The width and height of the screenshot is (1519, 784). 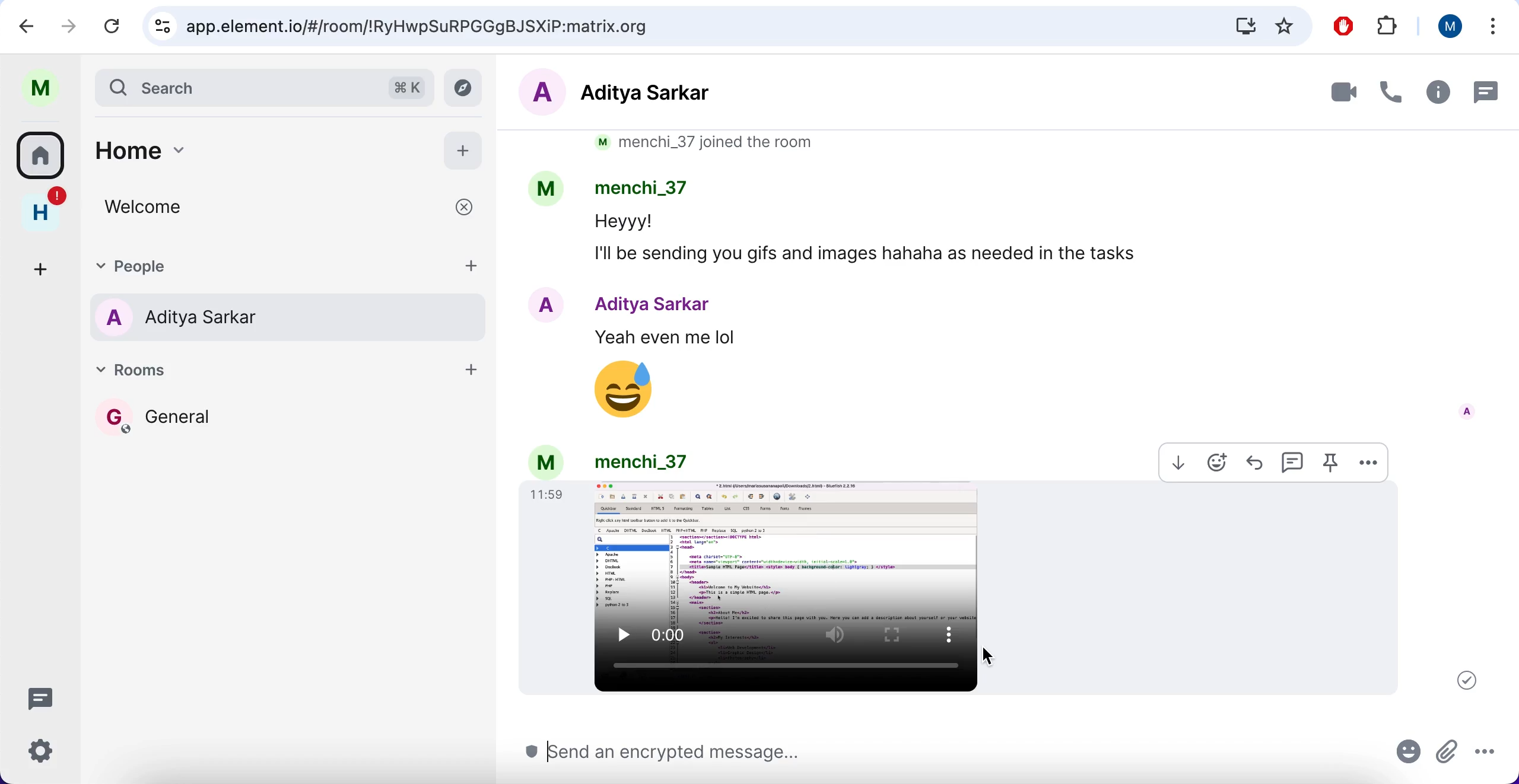 What do you see at coordinates (663, 93) in the screenshot?
I see `chat member` at bounding box center [663, 93].